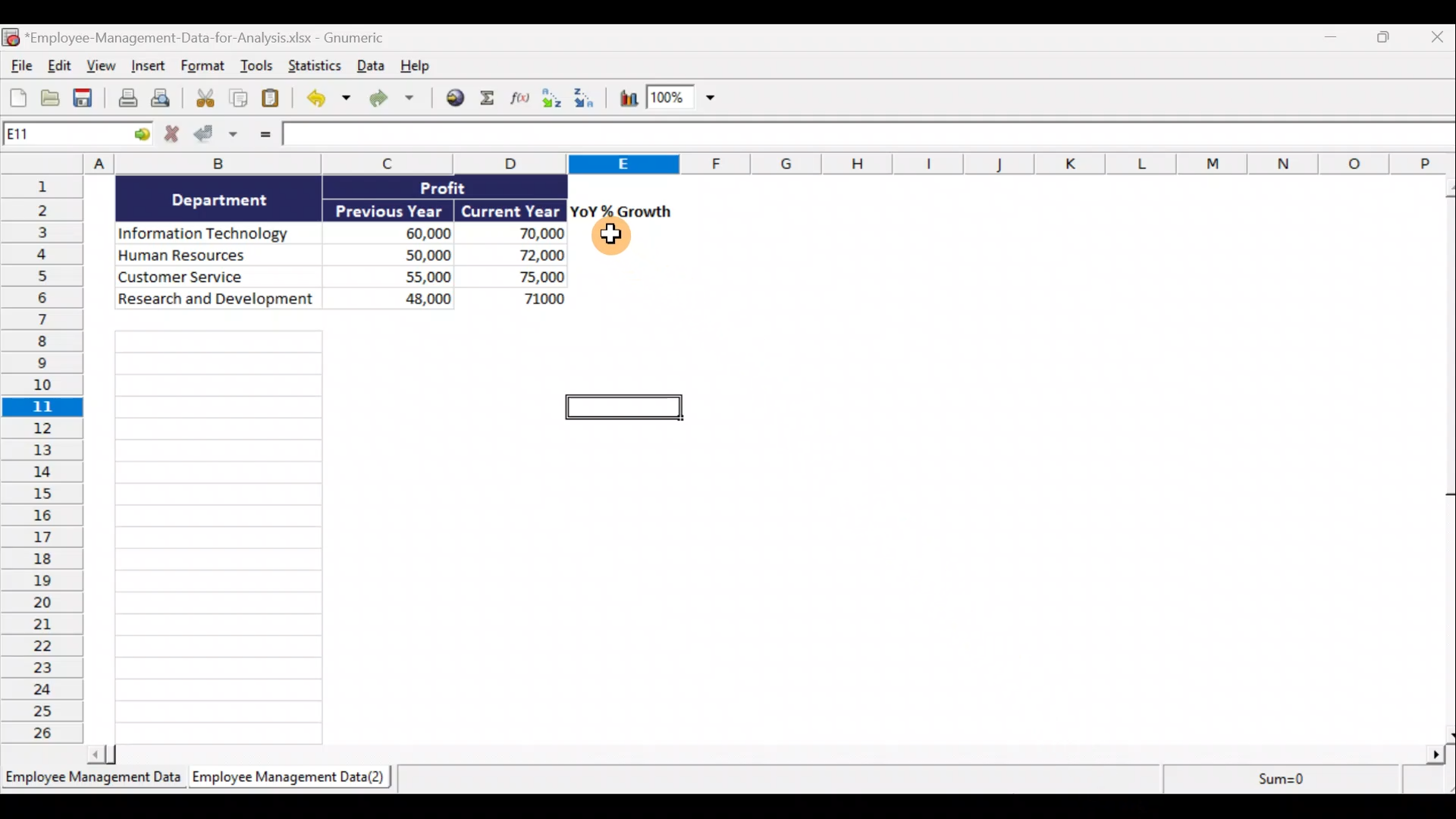 This screenshot has height=819, width=1456. Describe the element at coordinates (239, 99) in the screenshot. I see `Copy selection` at that location.